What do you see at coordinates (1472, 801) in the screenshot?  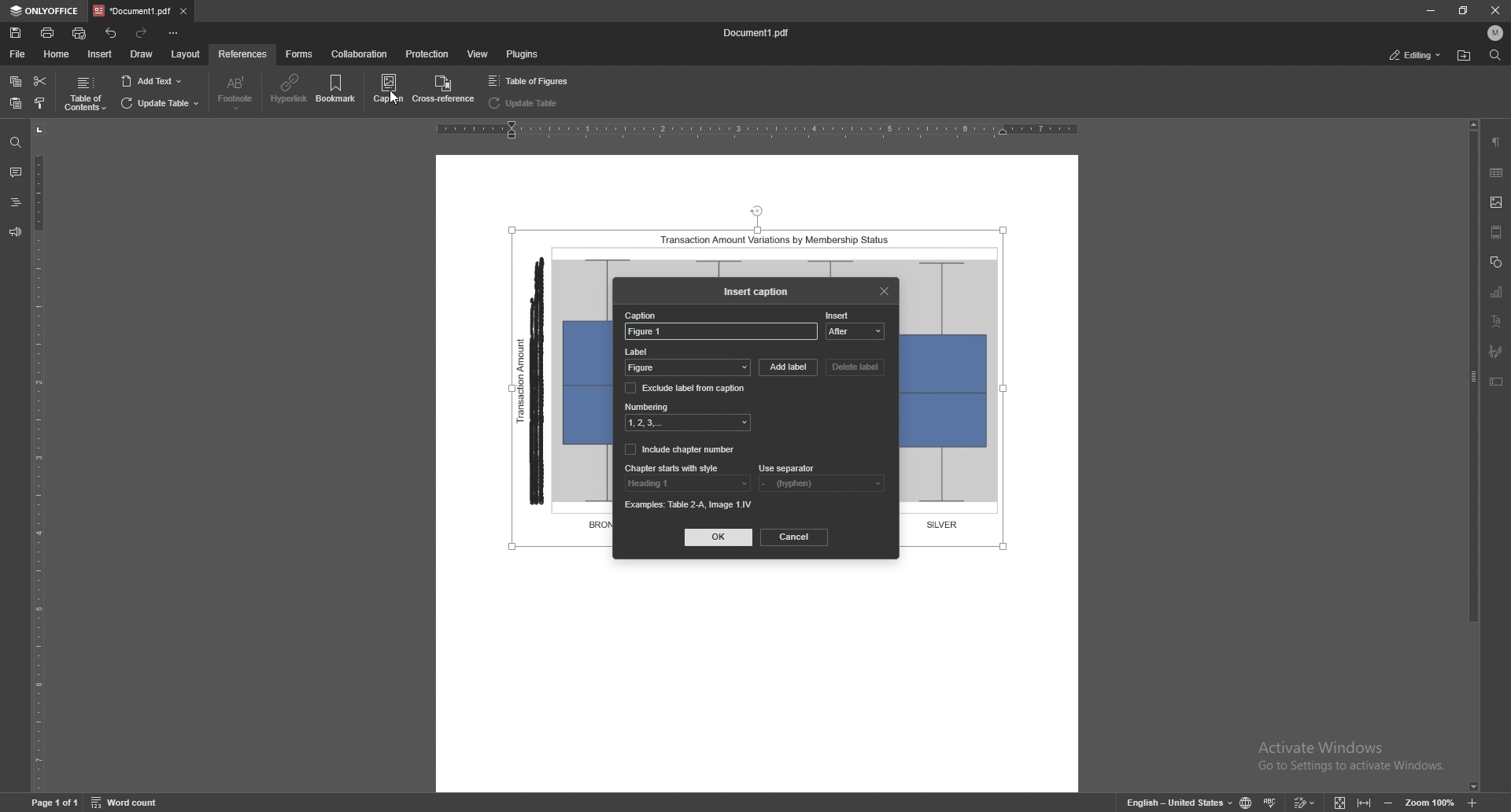 I see `zoom in` at bounding box center [1472, 801].